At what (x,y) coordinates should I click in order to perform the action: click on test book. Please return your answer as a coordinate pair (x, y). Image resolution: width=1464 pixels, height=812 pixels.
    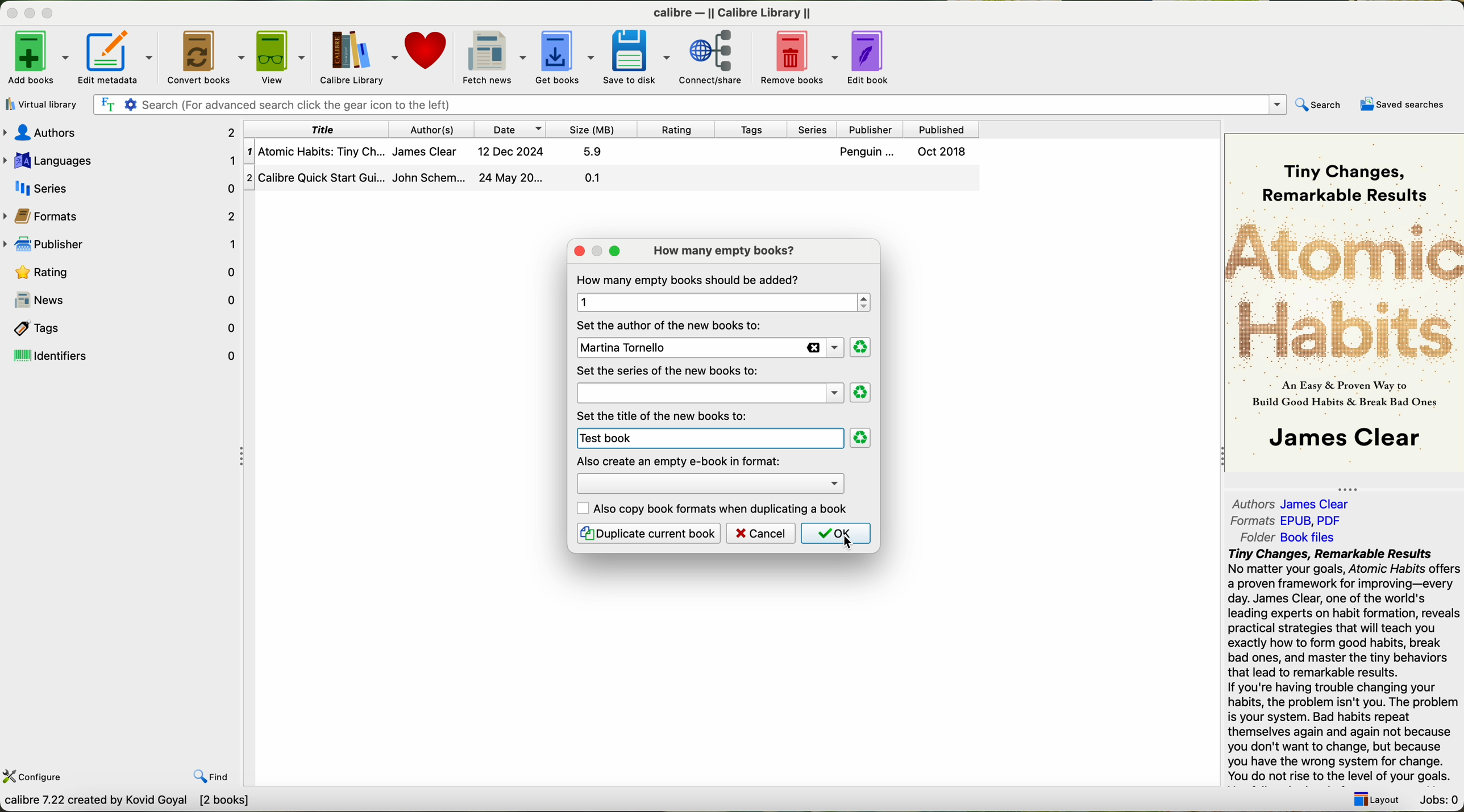
    Looking at the image, I should click on (606, 439).